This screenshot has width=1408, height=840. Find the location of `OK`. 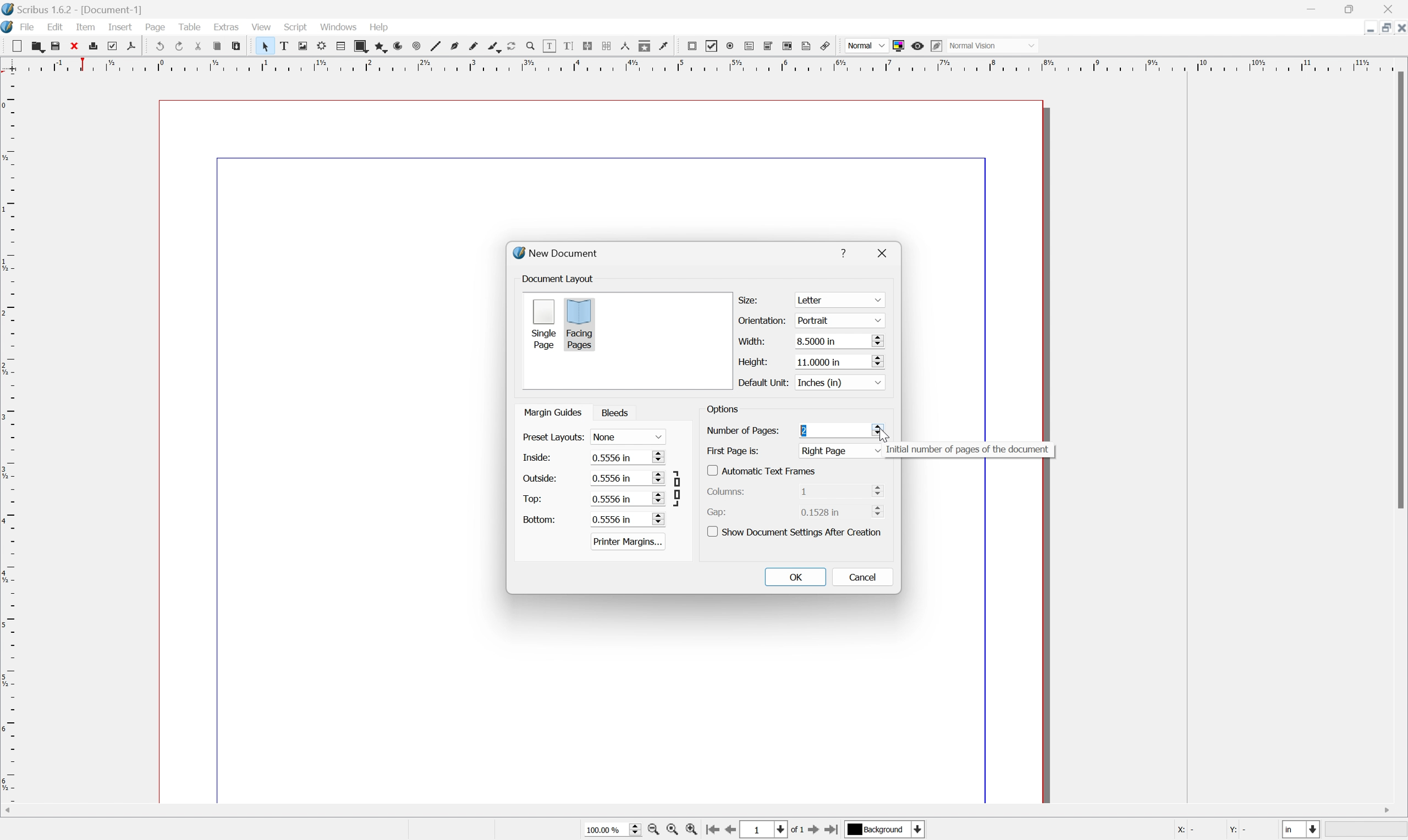

OK is located at coordinates (796, 577).